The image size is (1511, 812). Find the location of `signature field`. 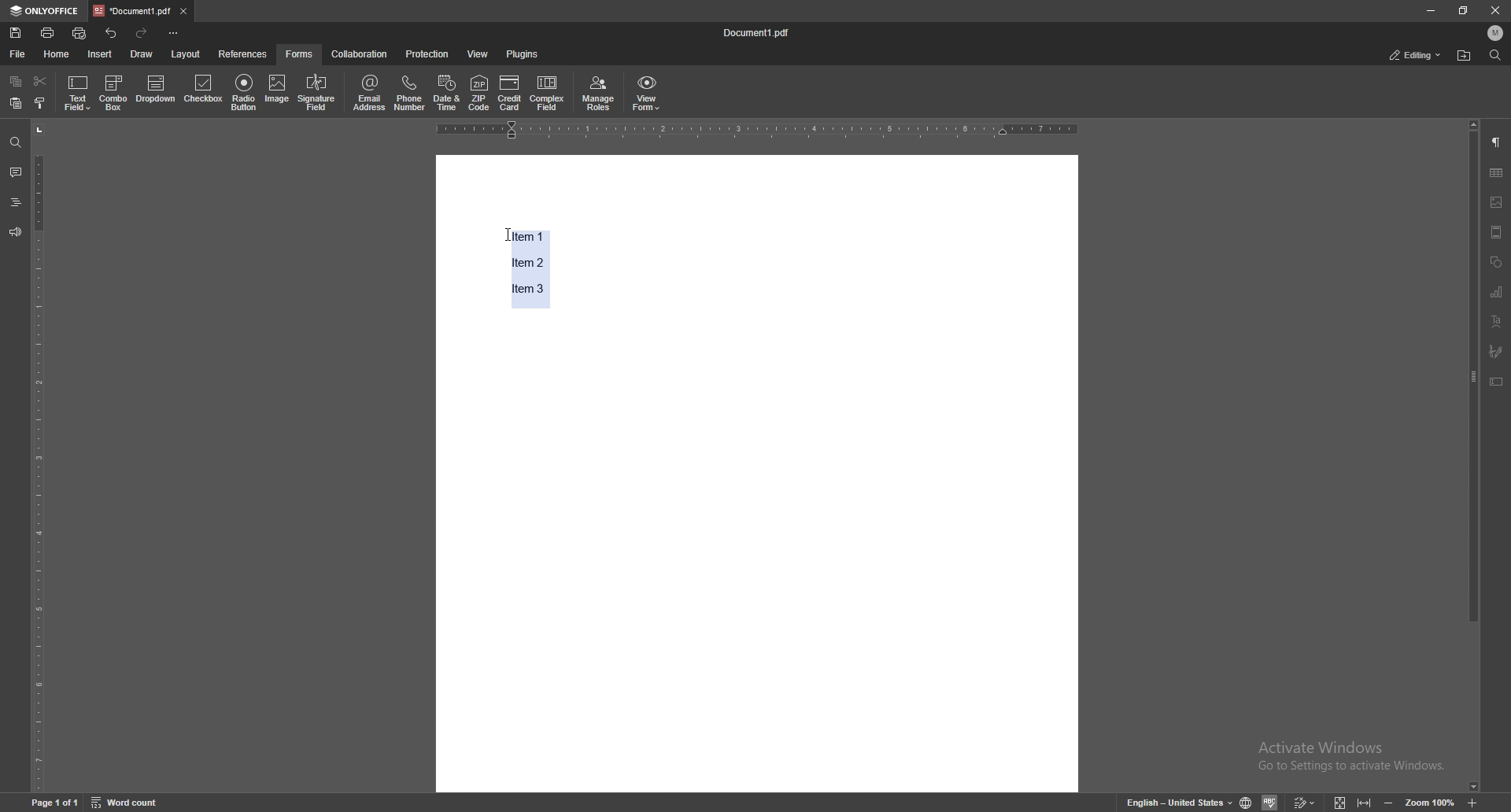

signature field is located at coordinates (317, 93).